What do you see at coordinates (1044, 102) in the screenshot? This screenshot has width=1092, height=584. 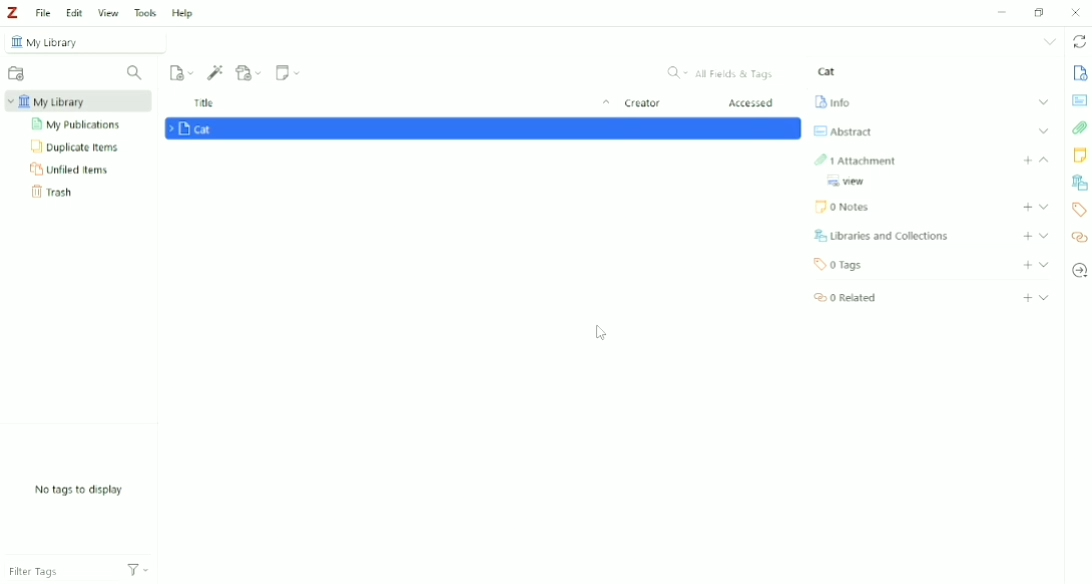 I see `Expand section` at bounding box center [1044, 102].